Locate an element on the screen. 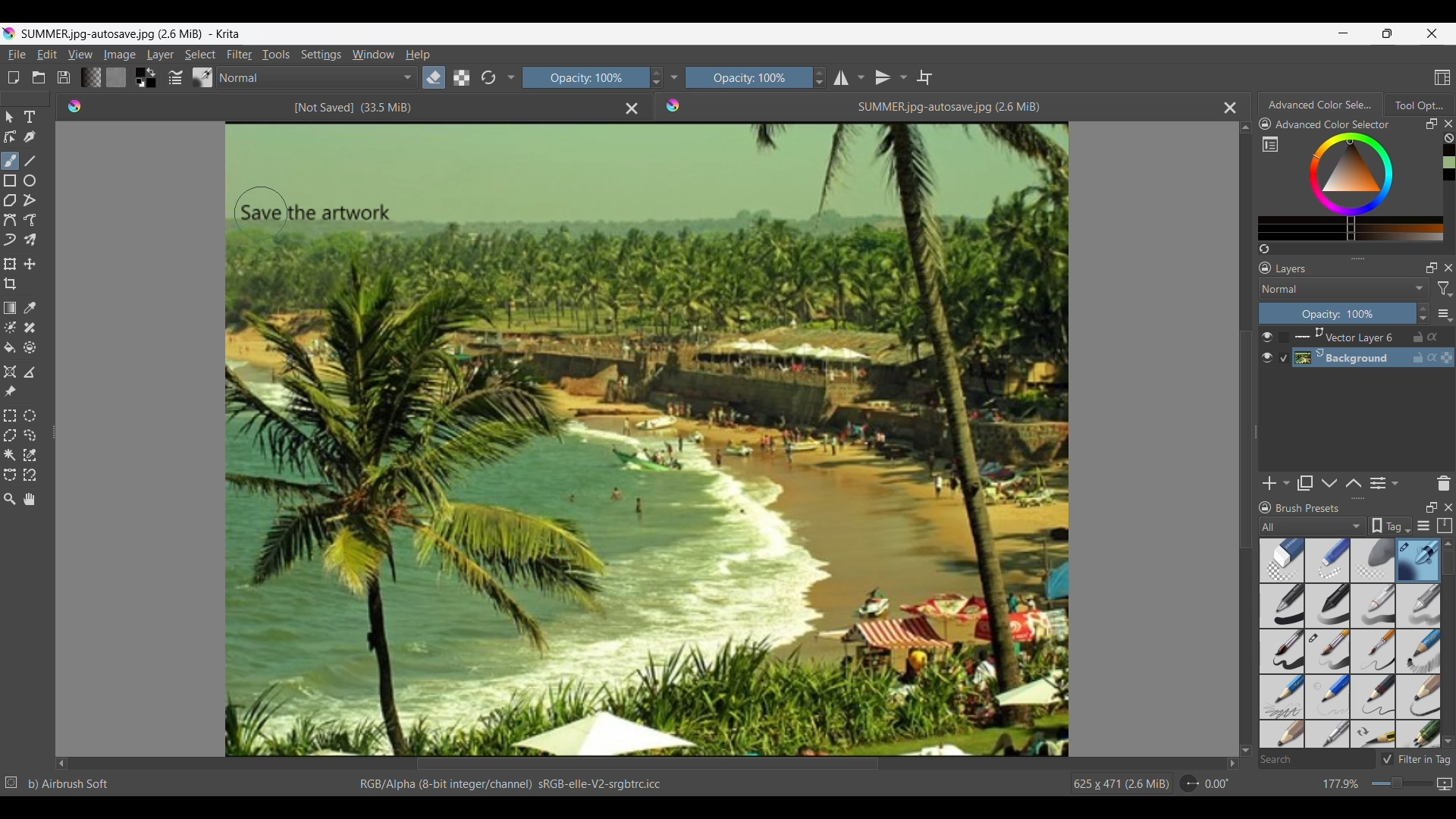  File is located at coordinates (16, 55).